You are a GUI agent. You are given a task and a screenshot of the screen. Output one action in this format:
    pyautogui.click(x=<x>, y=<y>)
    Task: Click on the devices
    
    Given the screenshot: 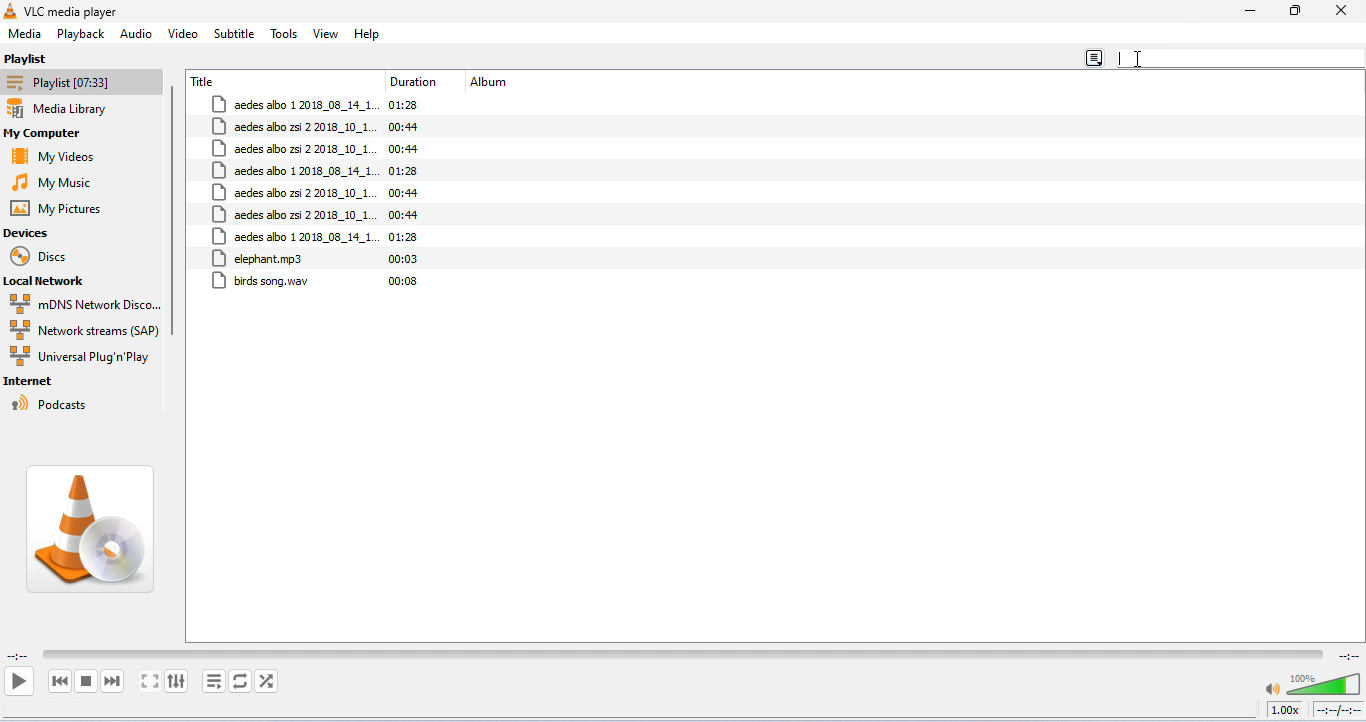 What is the action you would take?
    pyautogui.click(x=28, y=233)
    